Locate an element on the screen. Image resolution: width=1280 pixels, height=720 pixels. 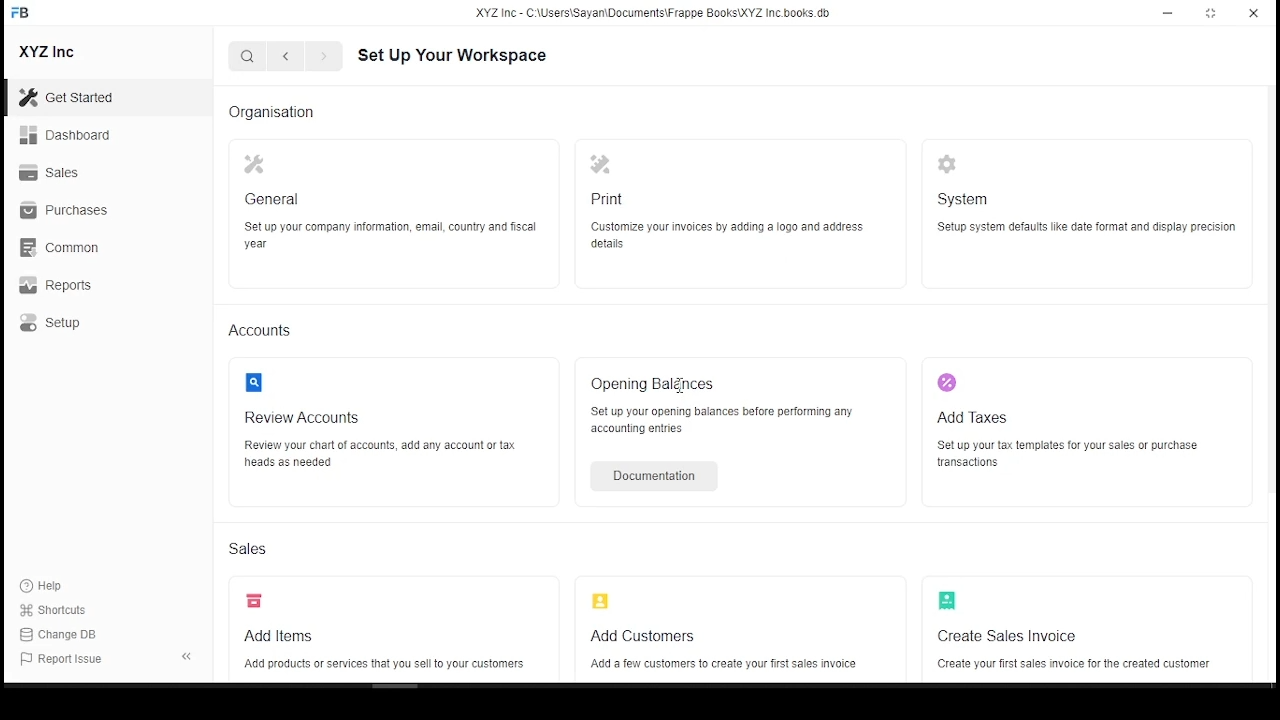
logo is located at coordinates (951, 164).